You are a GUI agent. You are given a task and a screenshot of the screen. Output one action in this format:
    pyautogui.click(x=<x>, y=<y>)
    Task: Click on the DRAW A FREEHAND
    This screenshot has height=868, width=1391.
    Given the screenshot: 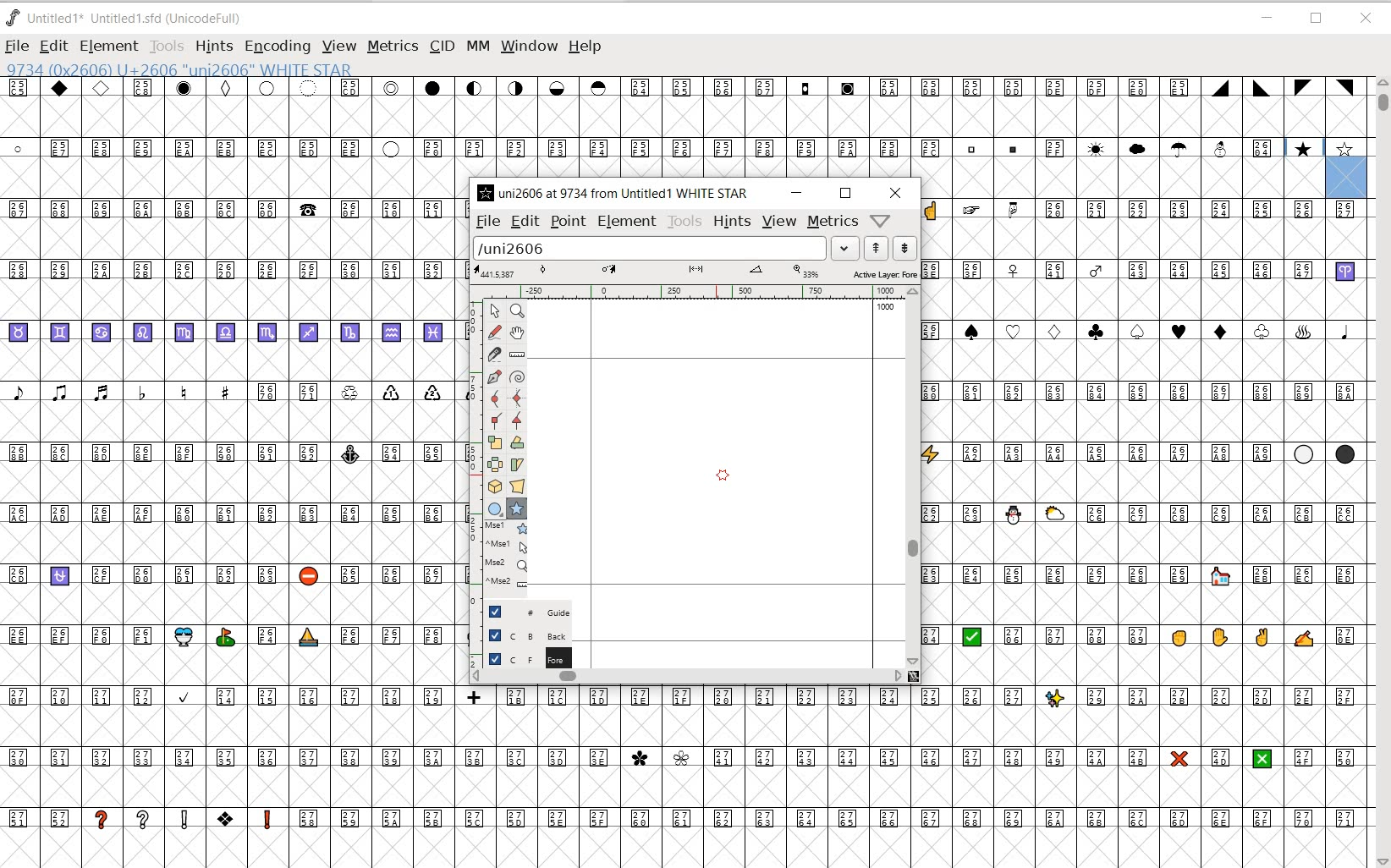 What is the action you would take?
    pyautogui.click(x=494, y=332)
    